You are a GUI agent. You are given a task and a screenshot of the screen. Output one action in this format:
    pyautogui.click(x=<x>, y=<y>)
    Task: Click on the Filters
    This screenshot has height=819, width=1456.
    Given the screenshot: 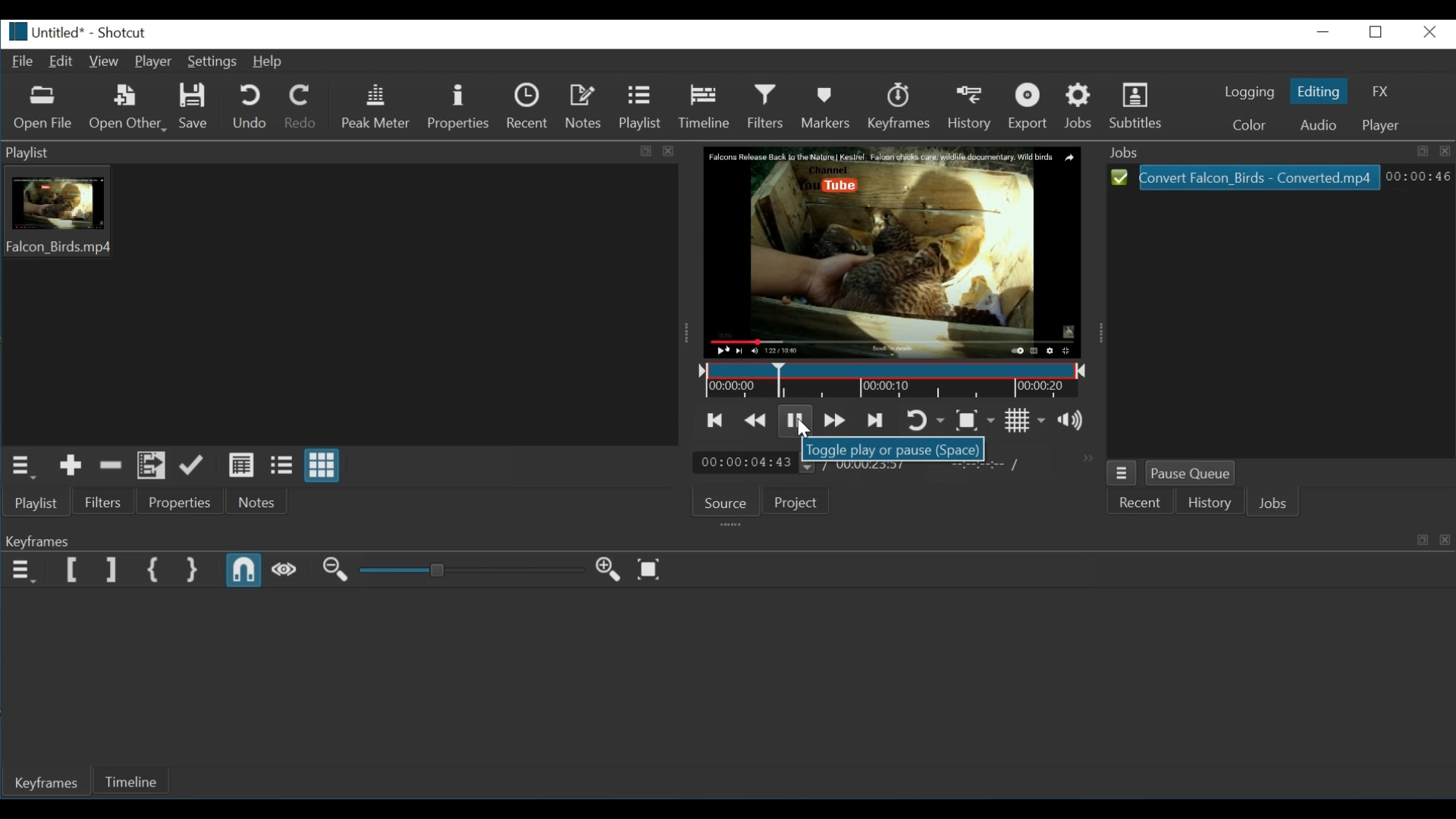 What is the action you would take?
    pyautogui.click(x=765, y=106)
    